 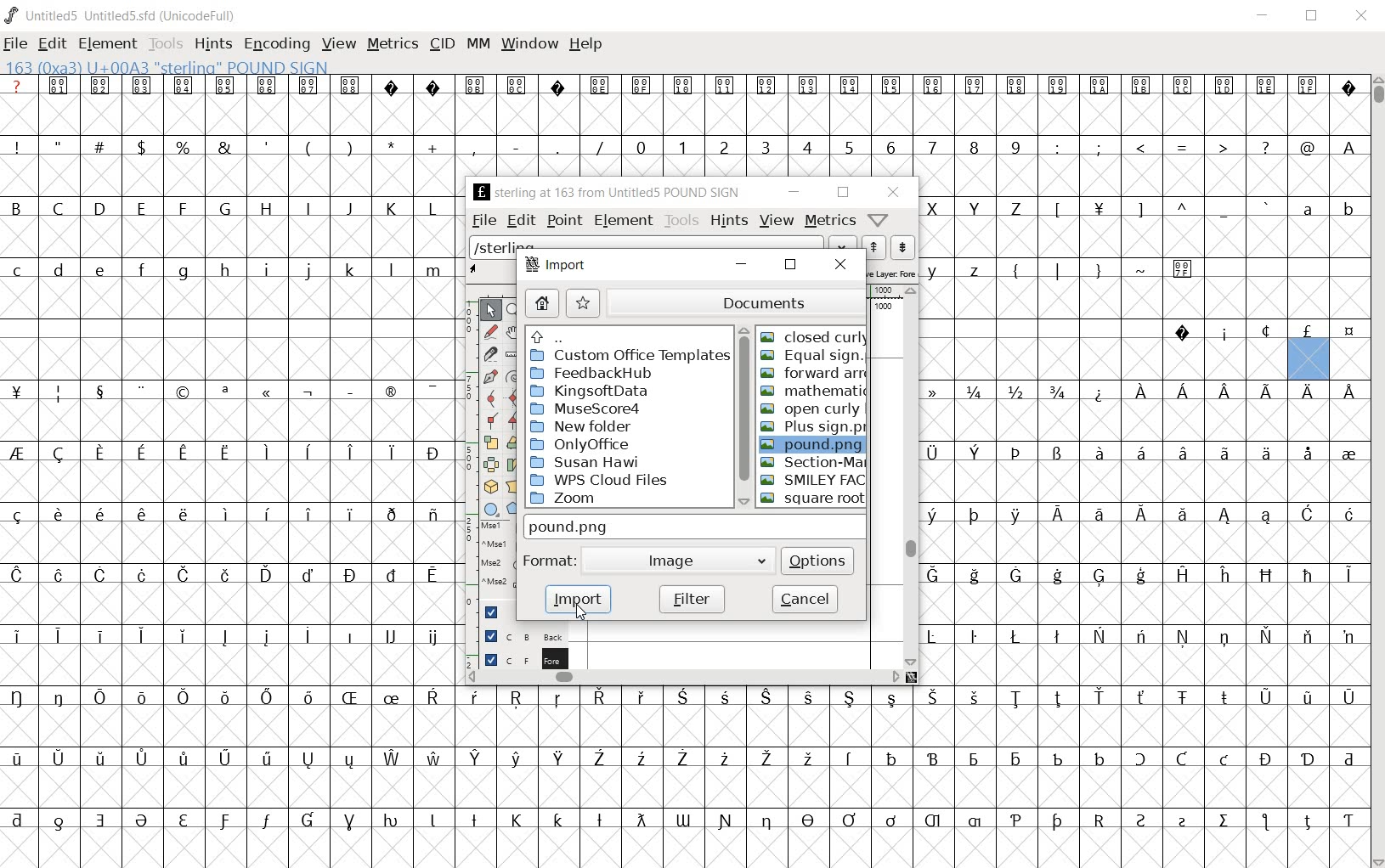 What do you see at coordinates (765, 146) in the screenshot?
I see `3` at bounding box center [765, 146].